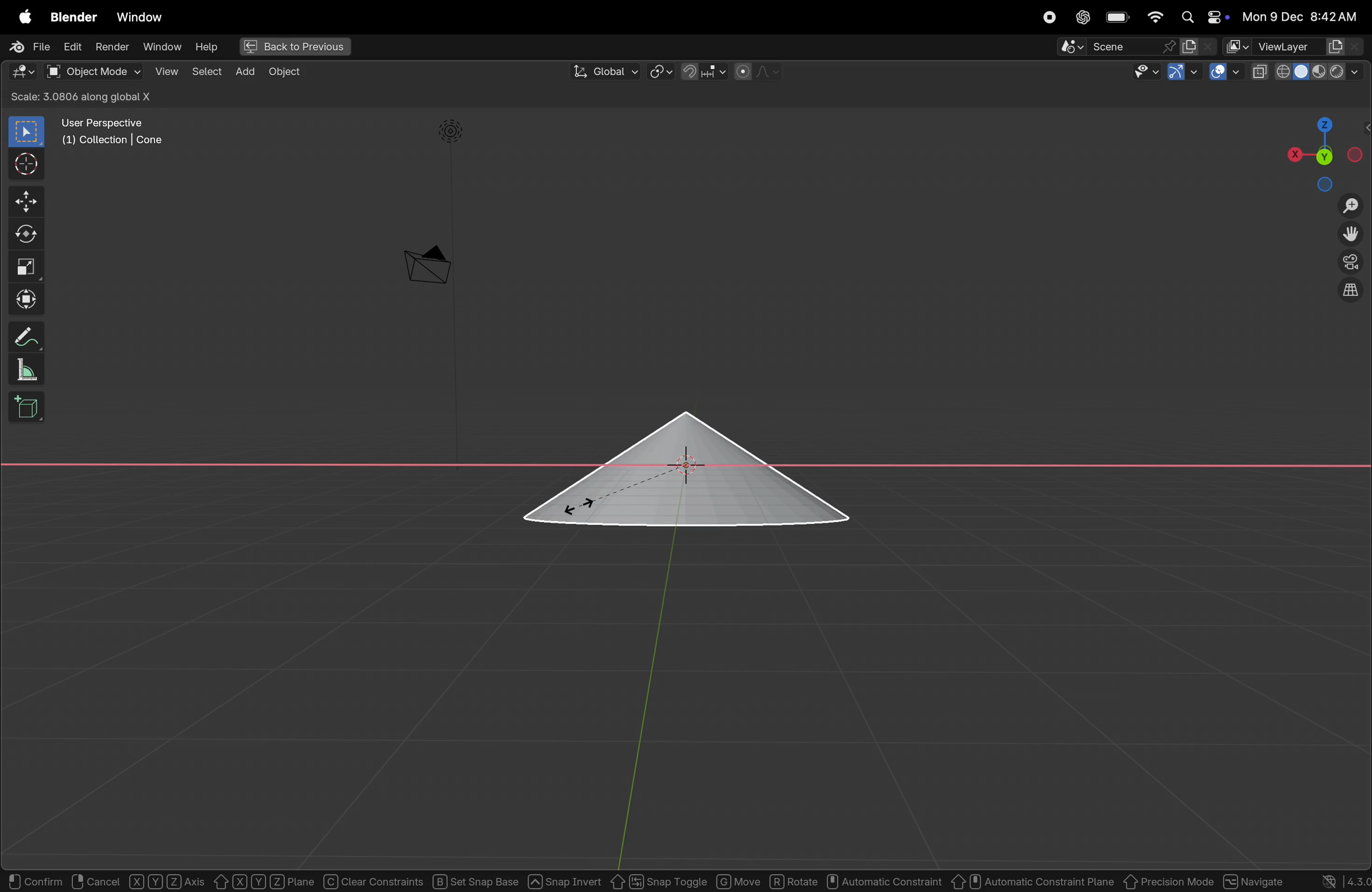 The image size is (1372, 892). What do you see at coordinates (1050, 17) in the screenshot?
I see `record` at bounding box center [1050, 17].